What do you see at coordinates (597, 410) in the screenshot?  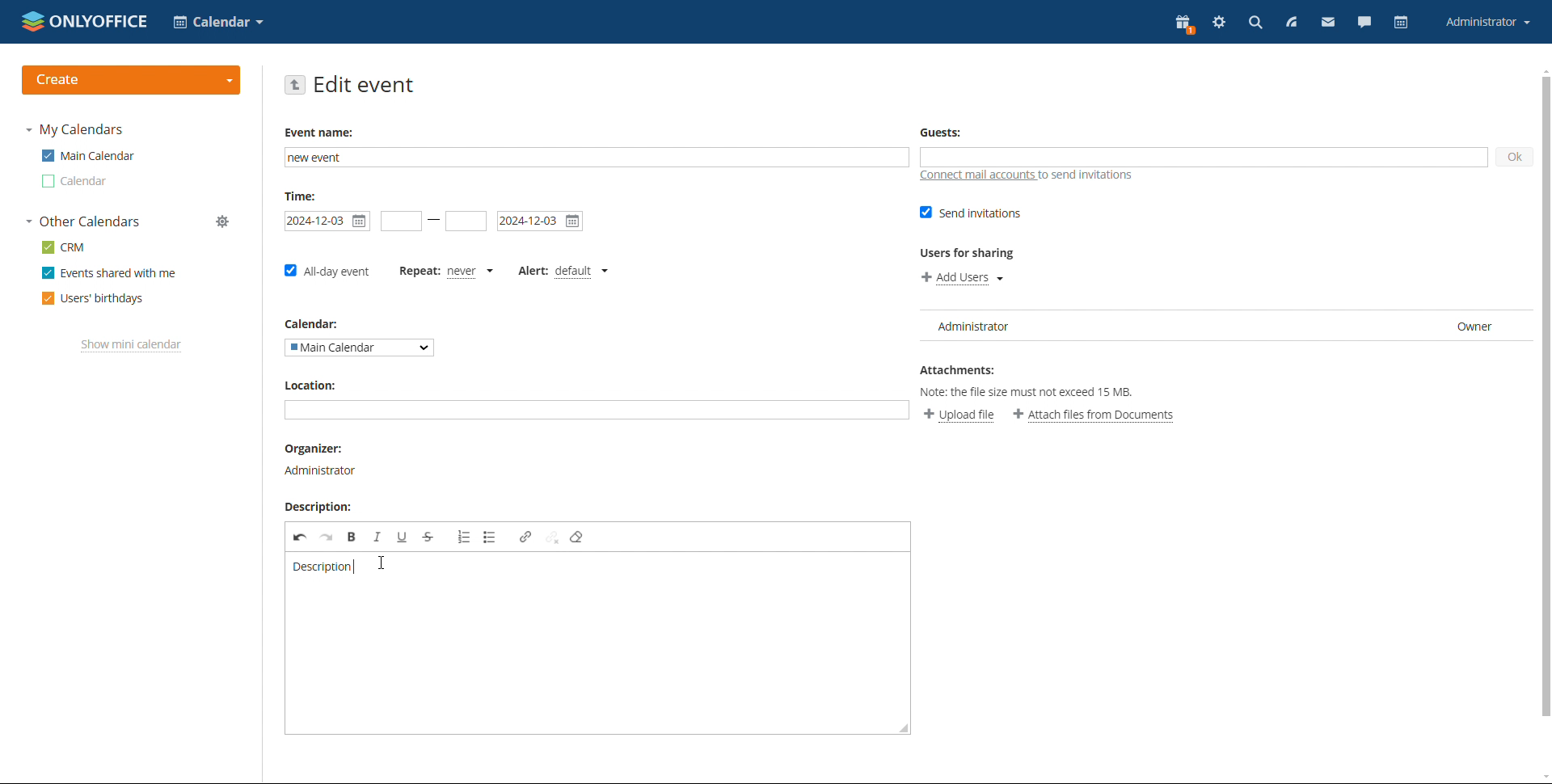 I see `add location` at bounding box center [597, 410].